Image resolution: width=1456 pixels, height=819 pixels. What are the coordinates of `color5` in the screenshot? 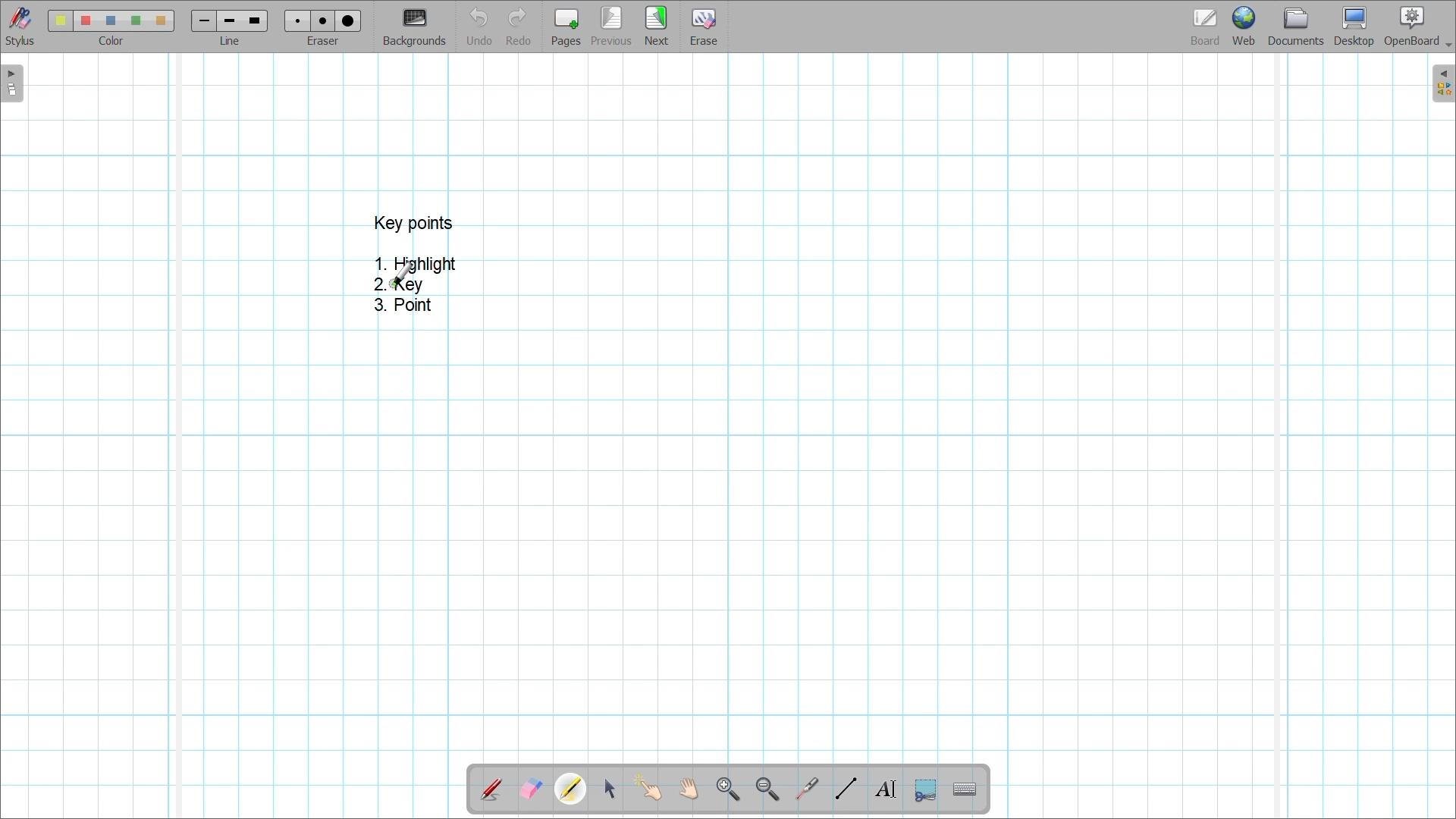 It's located at (159, 21).